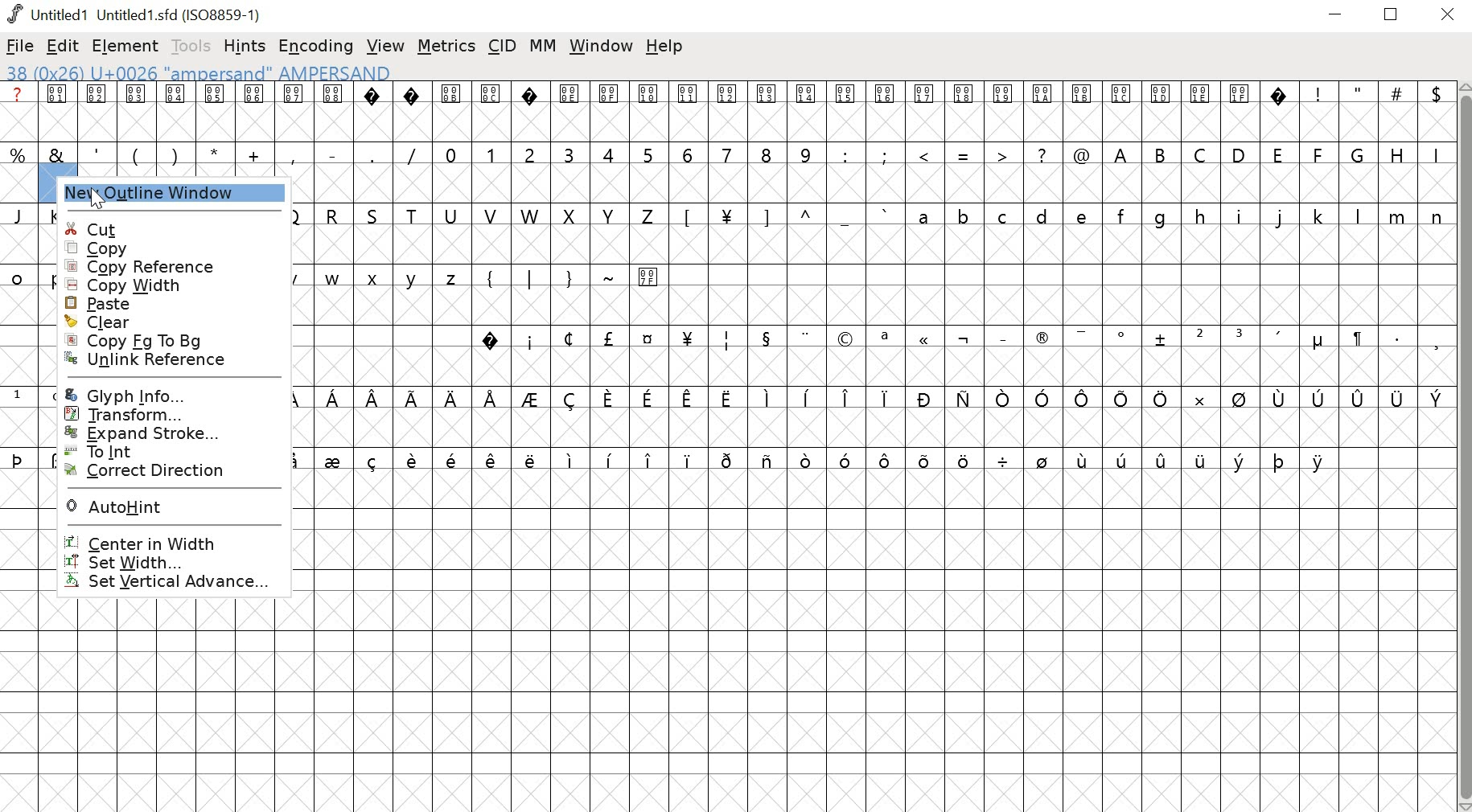 The height and width of the screenshot is (812, 1472). I want to click on {, so click(491, 276).